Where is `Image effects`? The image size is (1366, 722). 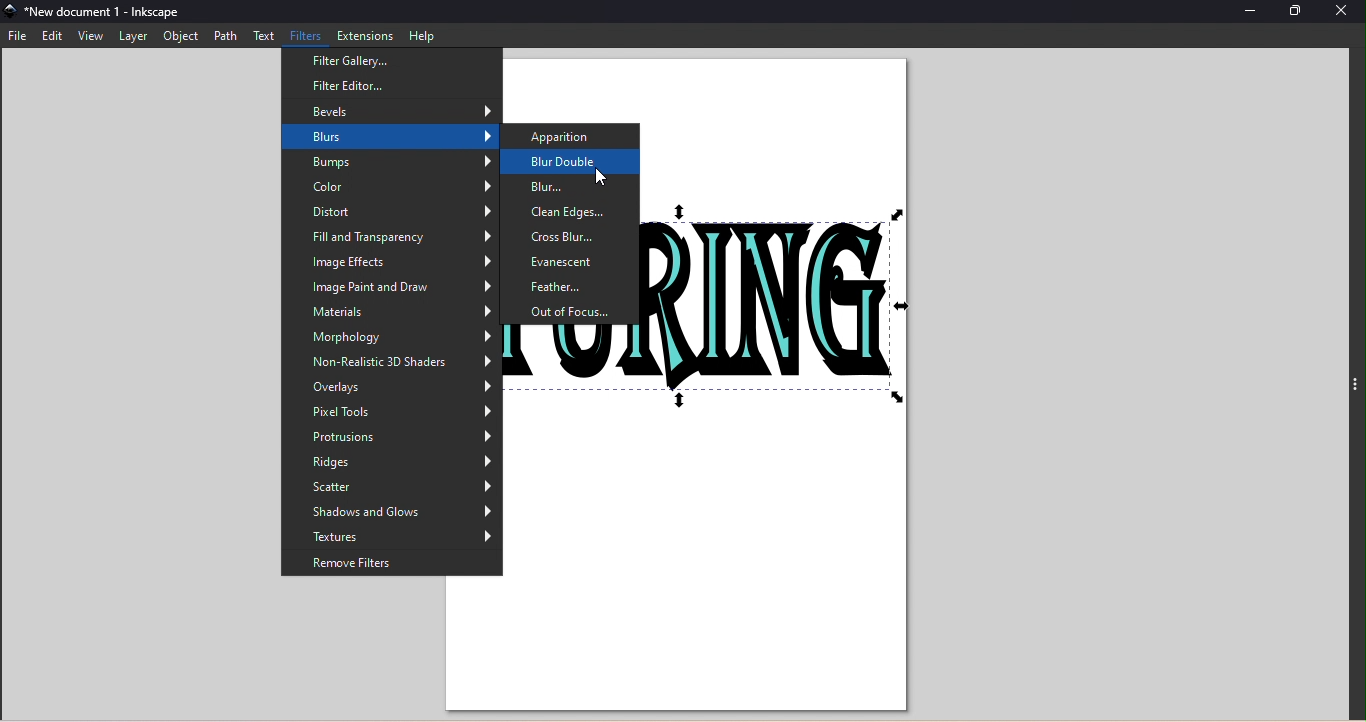
Image effects is located at coordinates (390, 263).